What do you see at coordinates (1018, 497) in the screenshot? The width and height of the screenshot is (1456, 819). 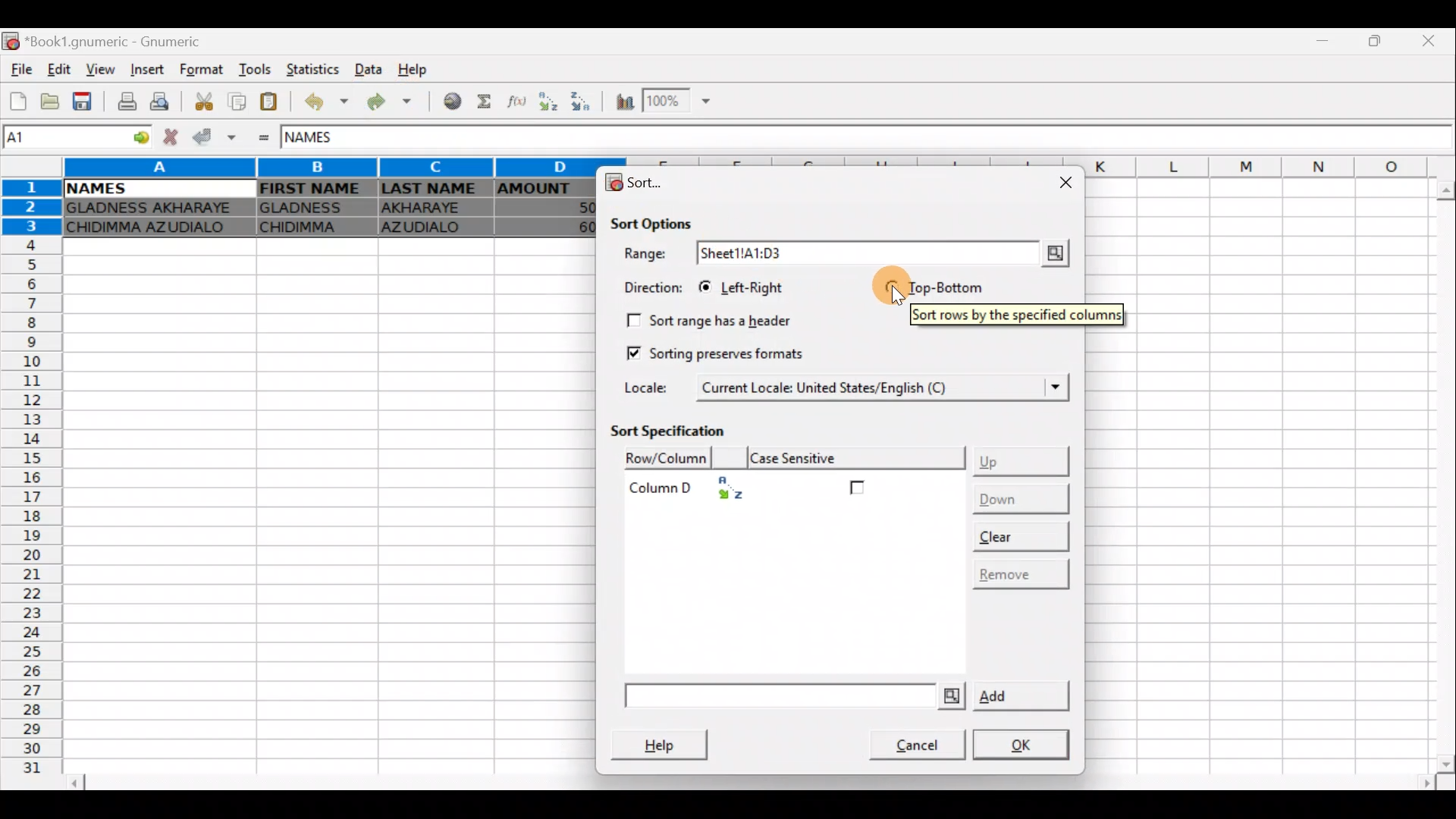 I see `Down` at bounding box center [1018, 497].